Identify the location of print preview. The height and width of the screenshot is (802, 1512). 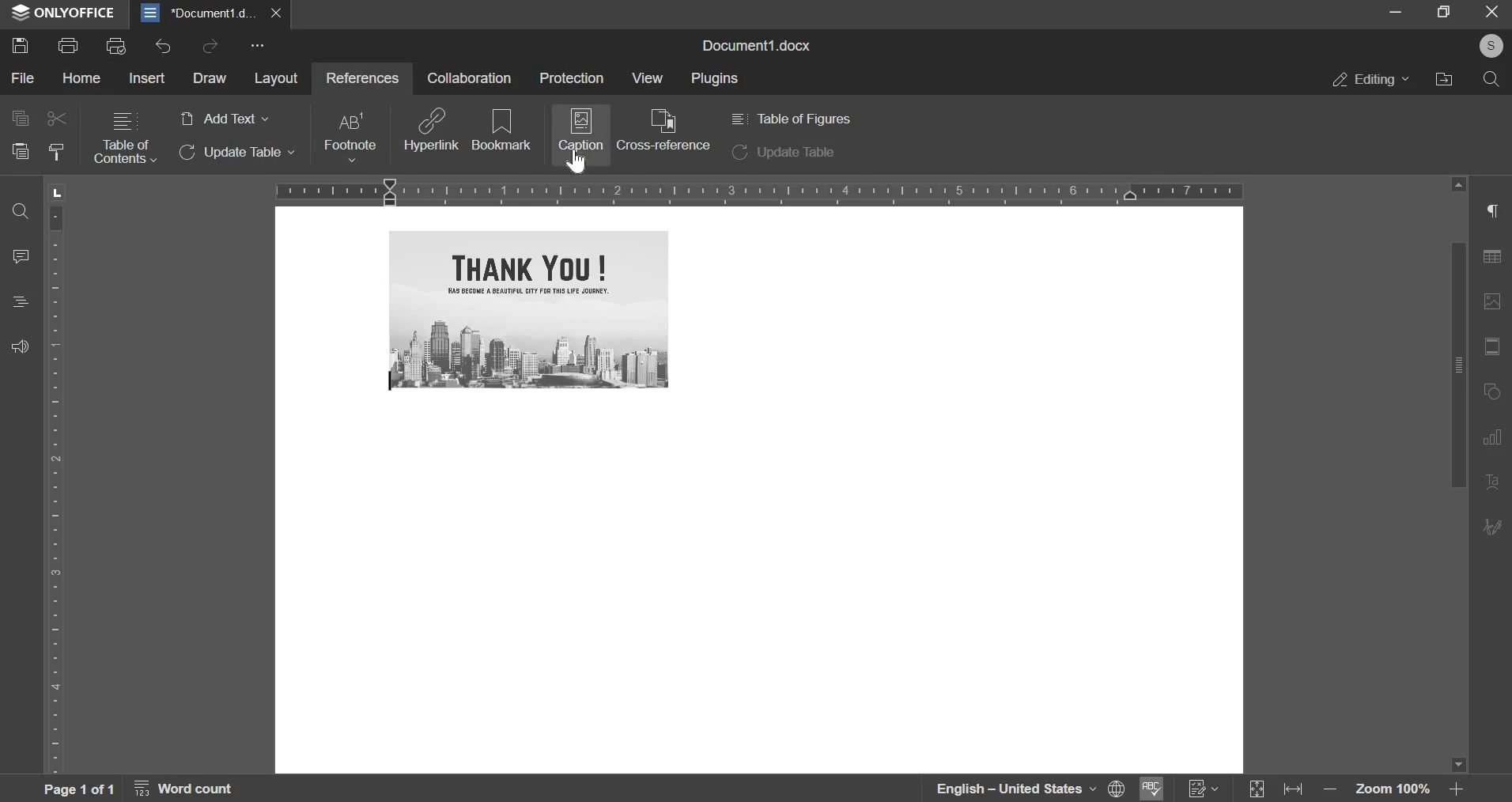
(116, 45).